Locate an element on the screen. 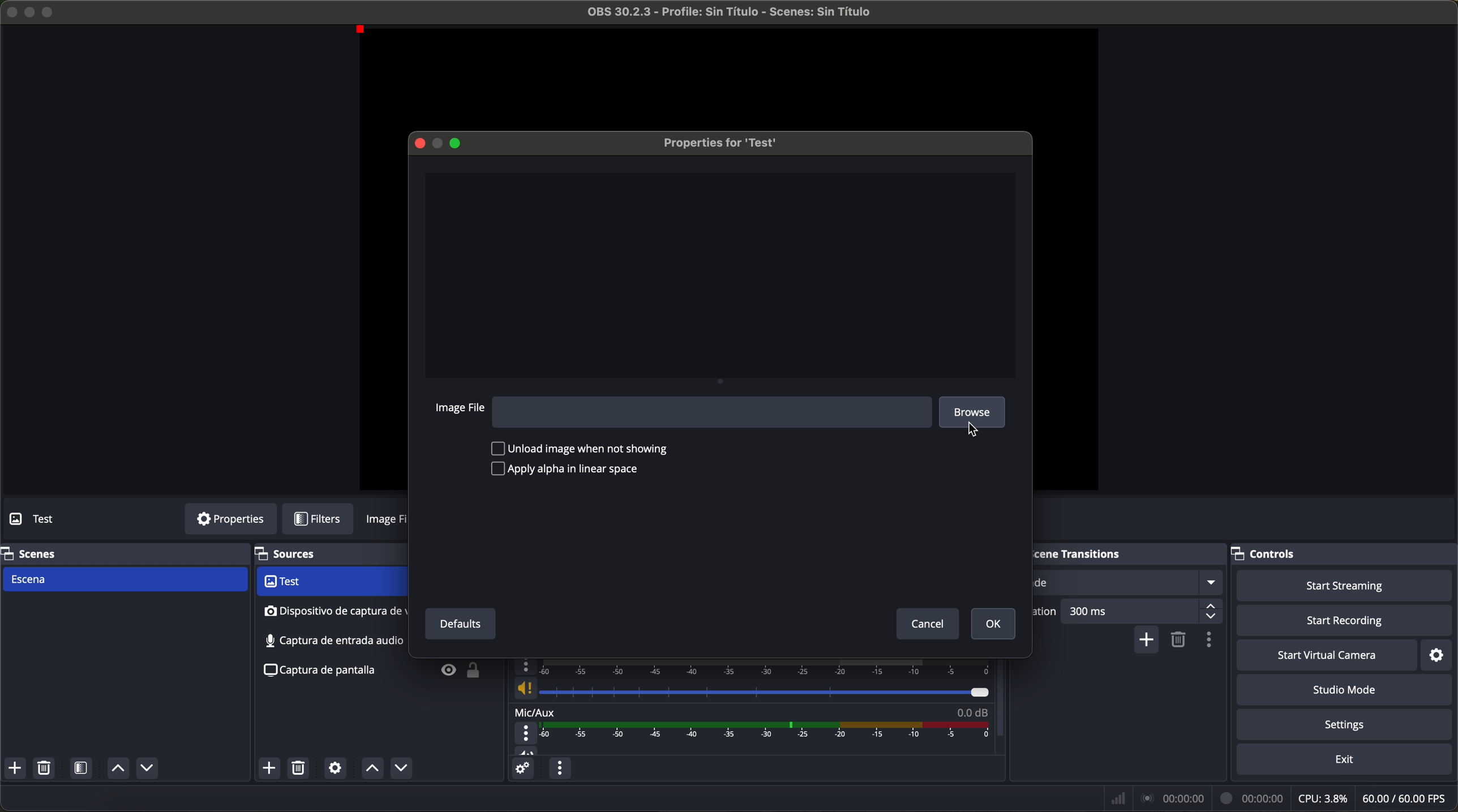 Image resolution: width=1458 pixels, height=812 pixels. red point is located at coordinates (363, 31).